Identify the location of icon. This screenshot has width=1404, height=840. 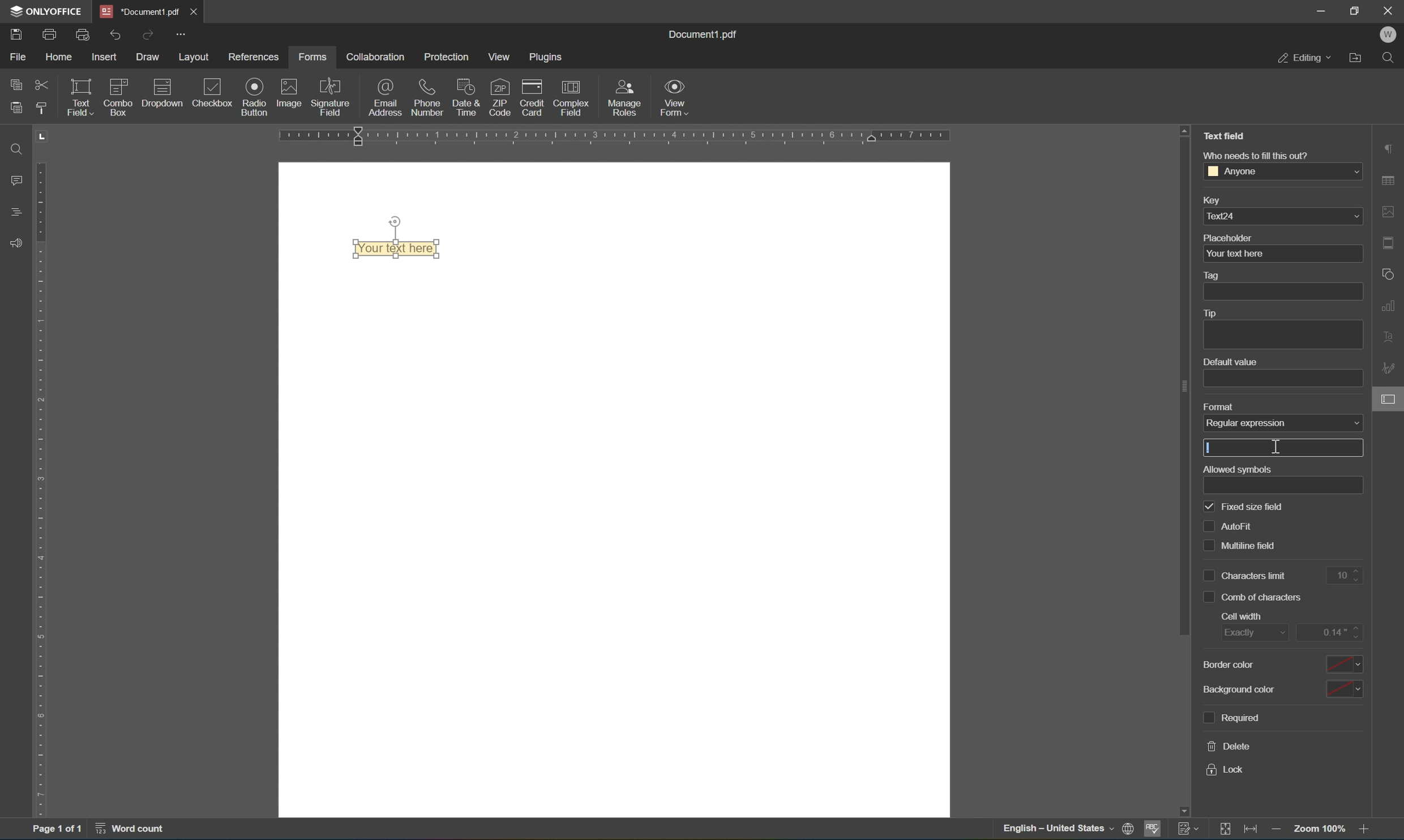
(162, 97).